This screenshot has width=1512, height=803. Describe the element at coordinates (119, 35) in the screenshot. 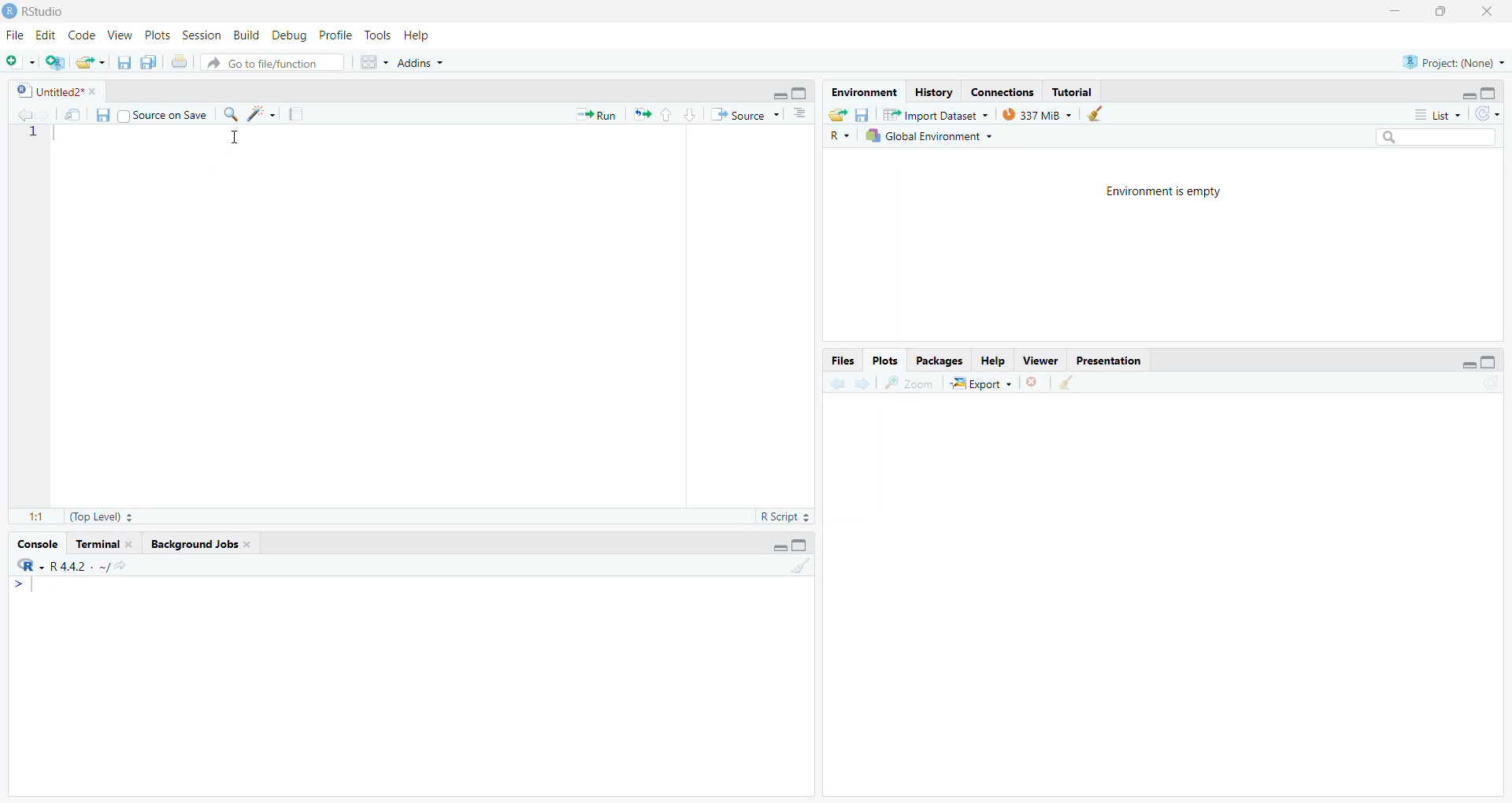

I see ` View` at that location.